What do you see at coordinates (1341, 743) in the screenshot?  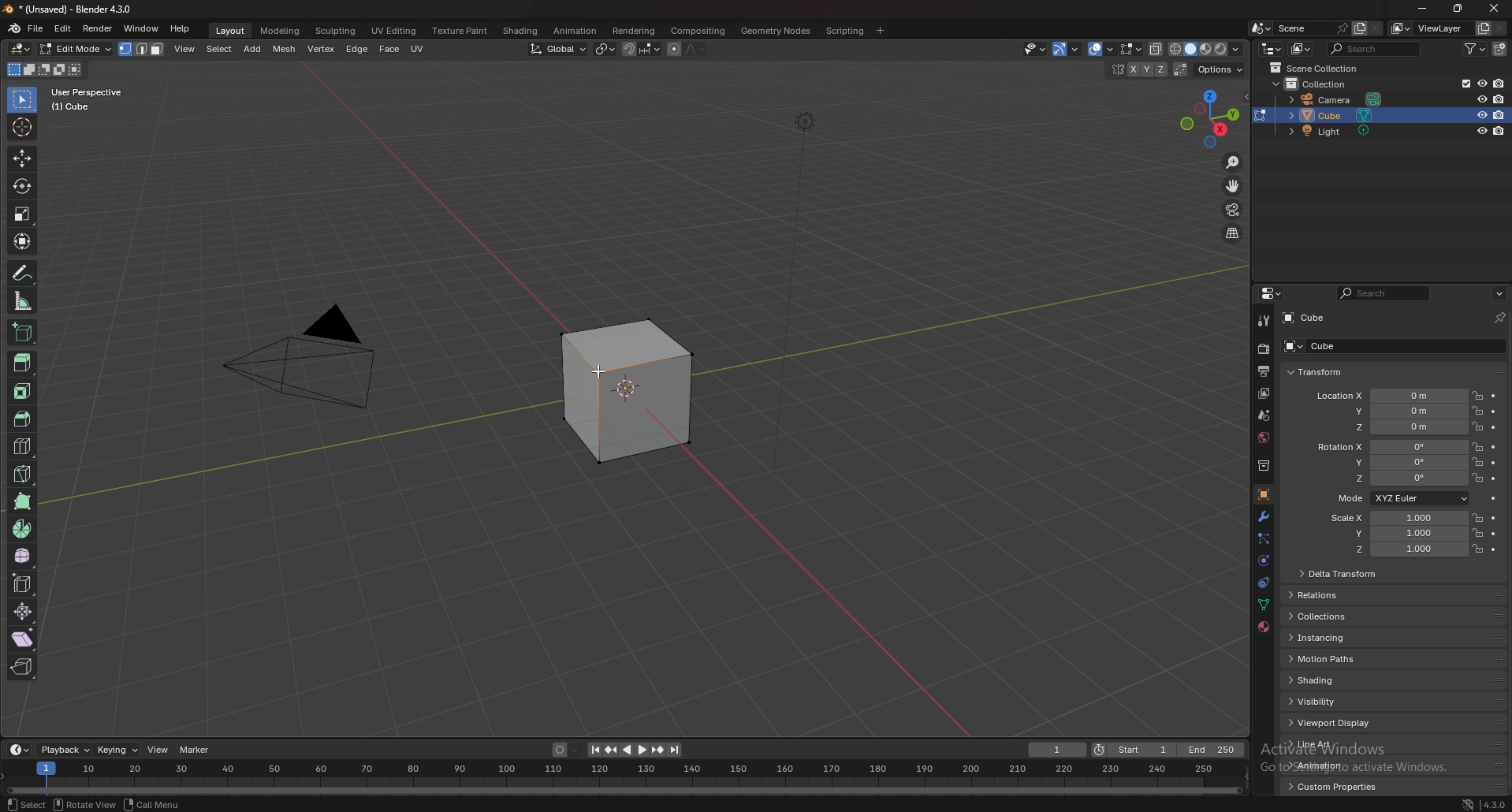 I see `line art` at bounding box center [1341, 743].